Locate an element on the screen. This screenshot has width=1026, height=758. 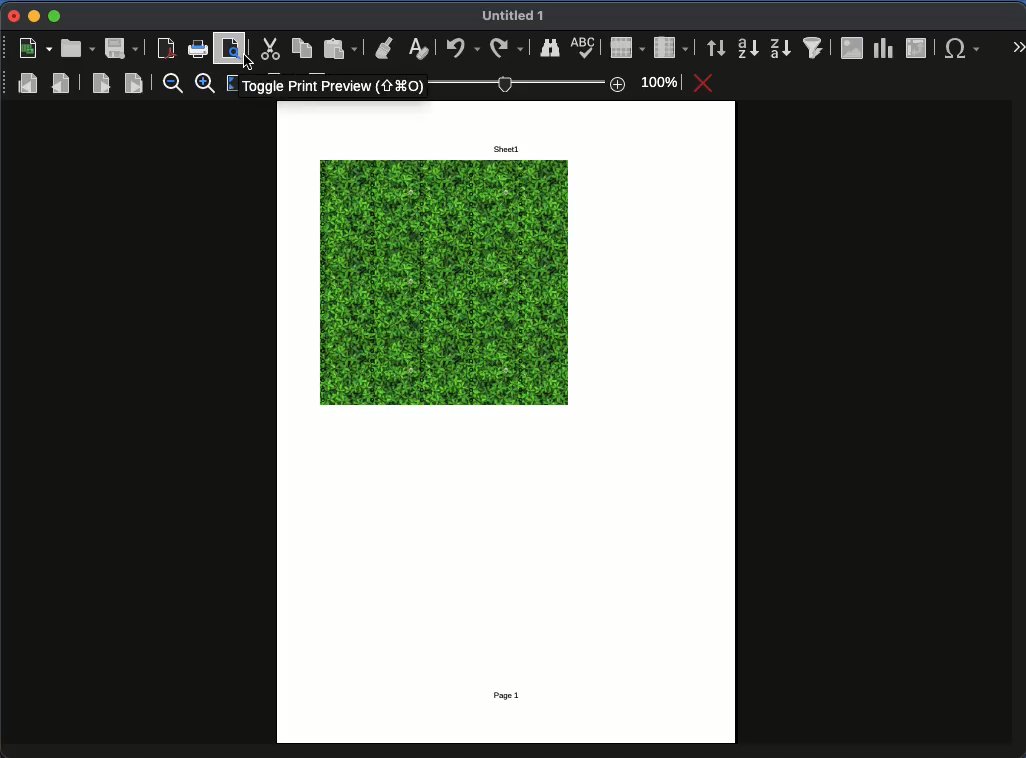
last page is located at coordinates (133, 83).